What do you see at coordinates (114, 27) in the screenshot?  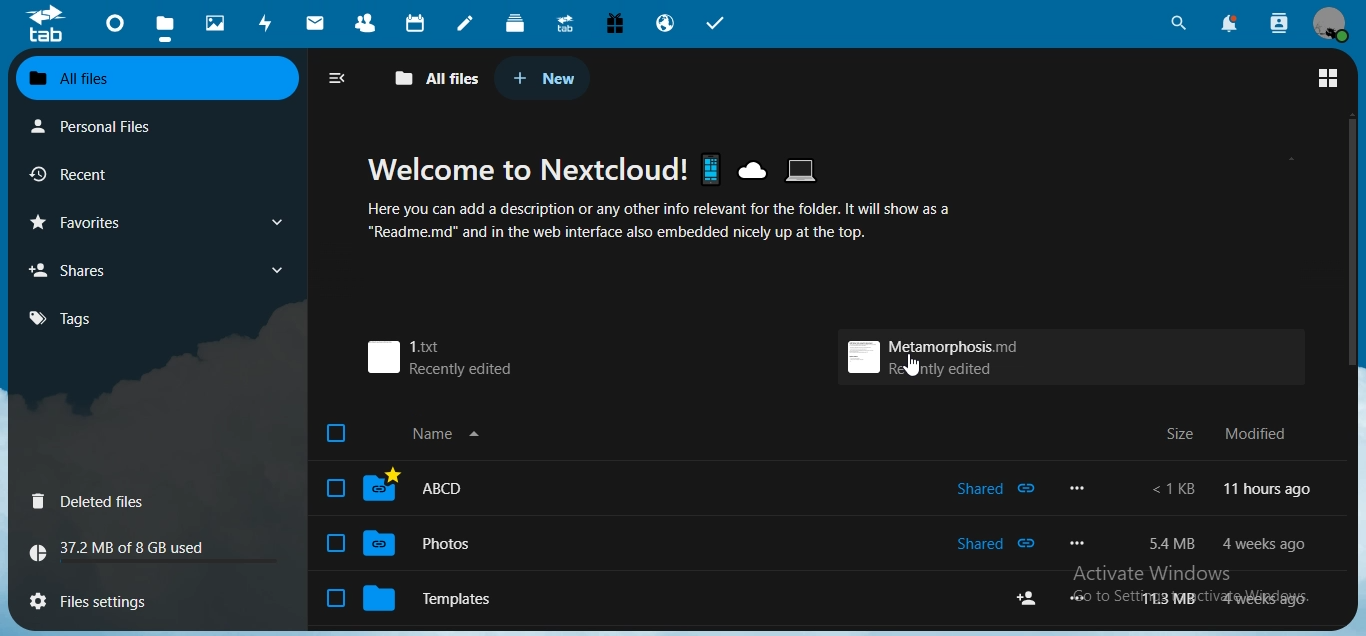 I see `dashboard` at bounding box center [114, 27].